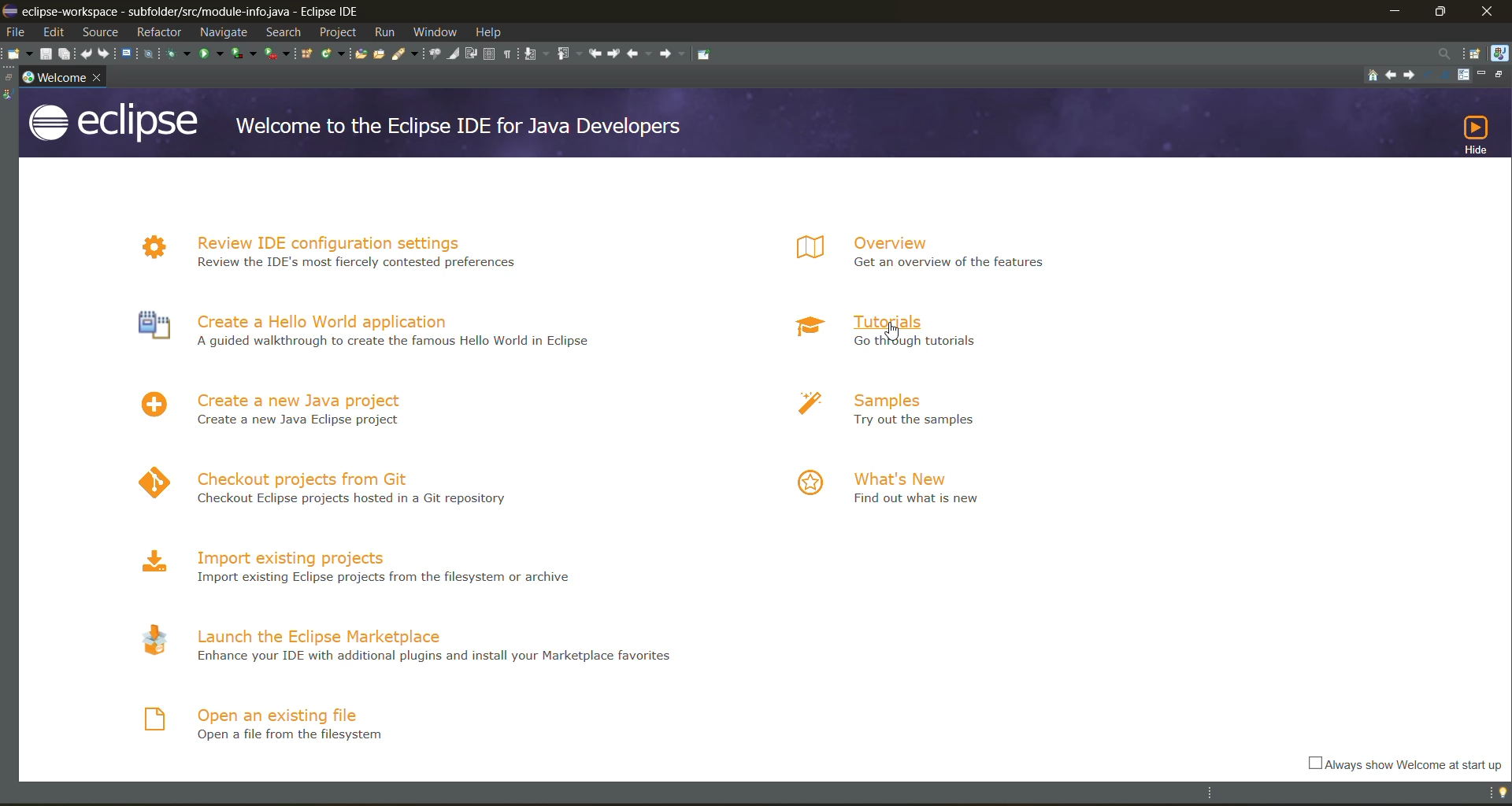 The height and width of the screenshot is (806, 1512). What do you see at coordinates (88, 54) in the screenshot?
I see `undo` at bounding box center [88, 54].